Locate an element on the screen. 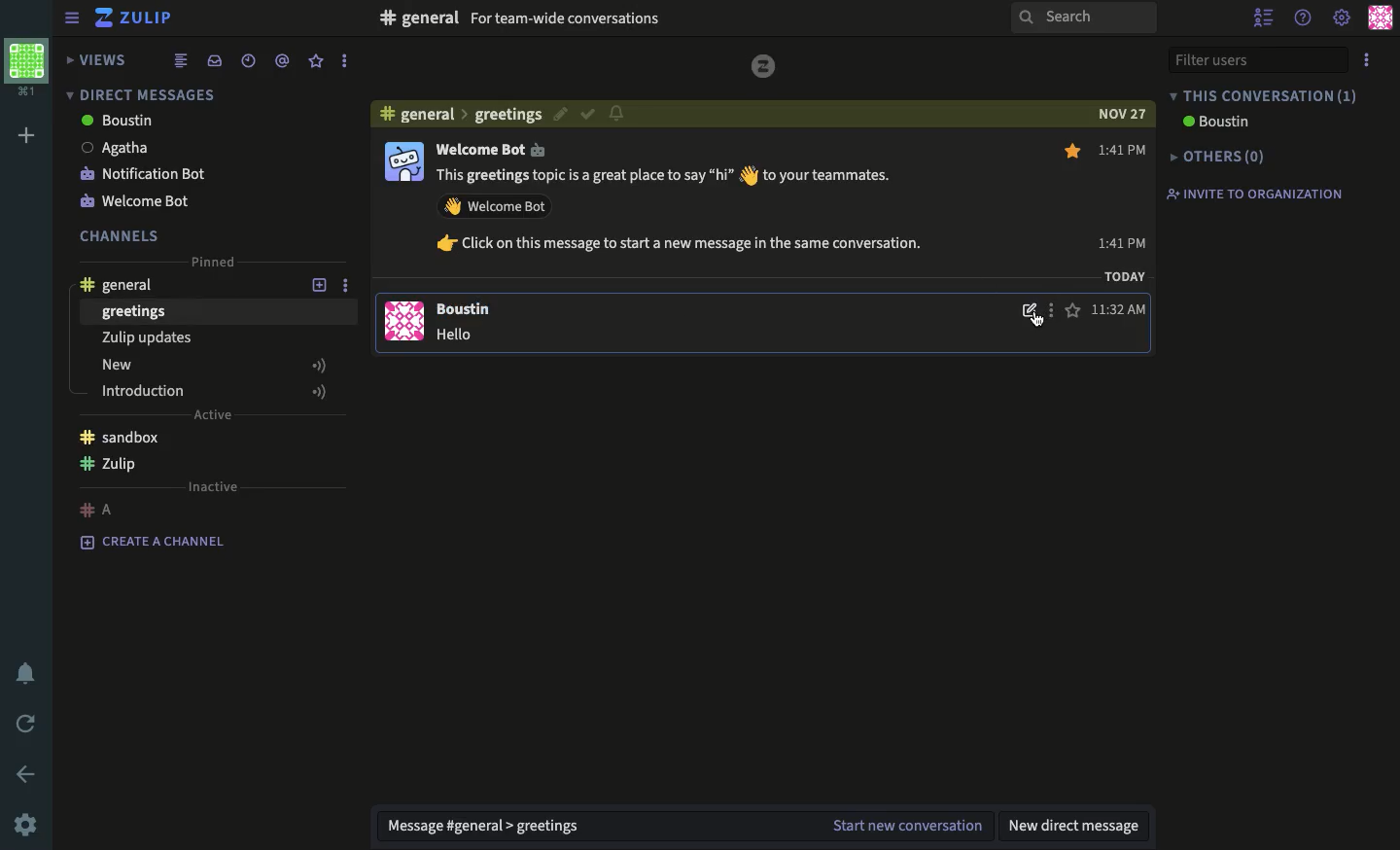  1:41 PM is located at coordinates (1124, 195).